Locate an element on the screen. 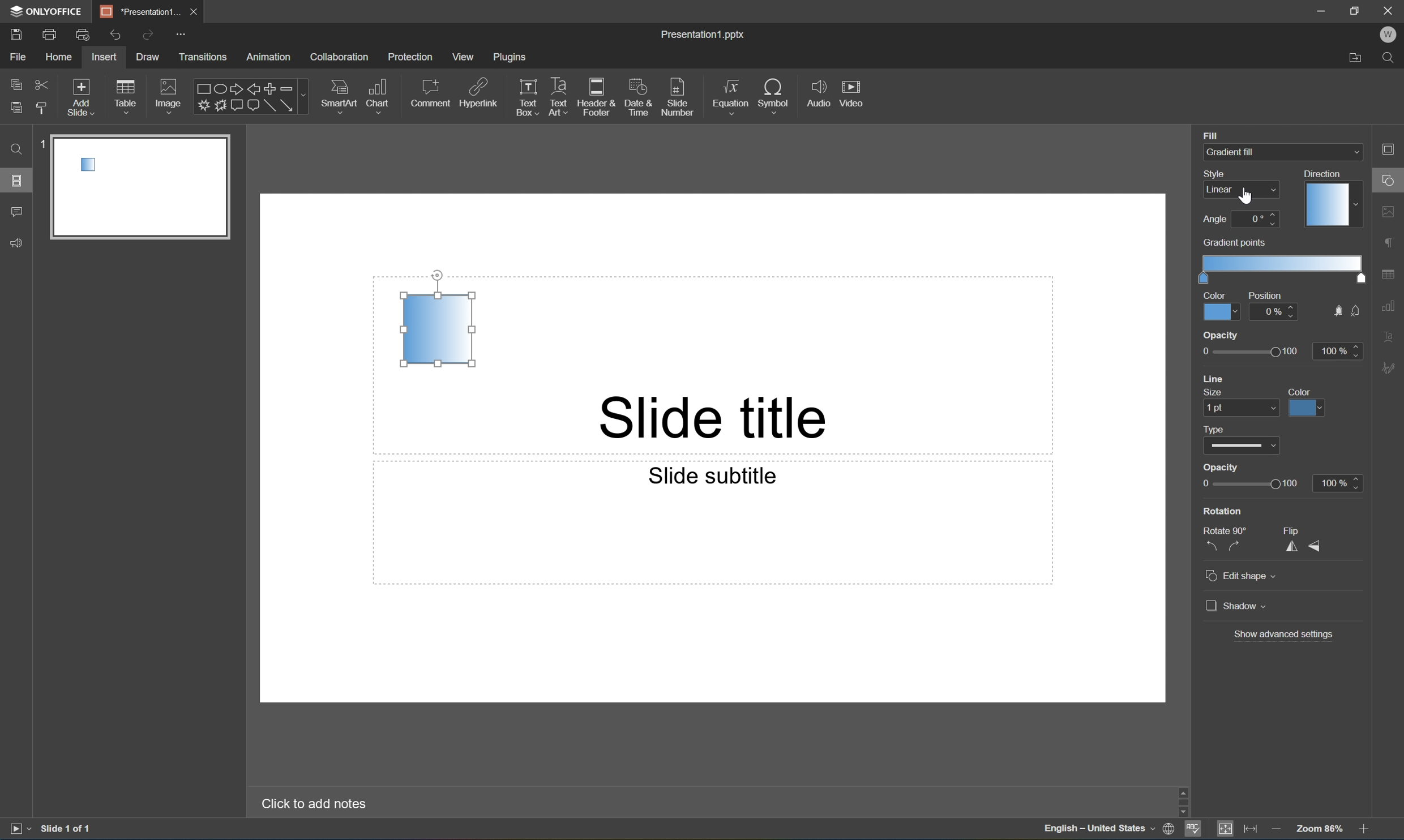  Fit to width is located at coordinates (1252, 828).